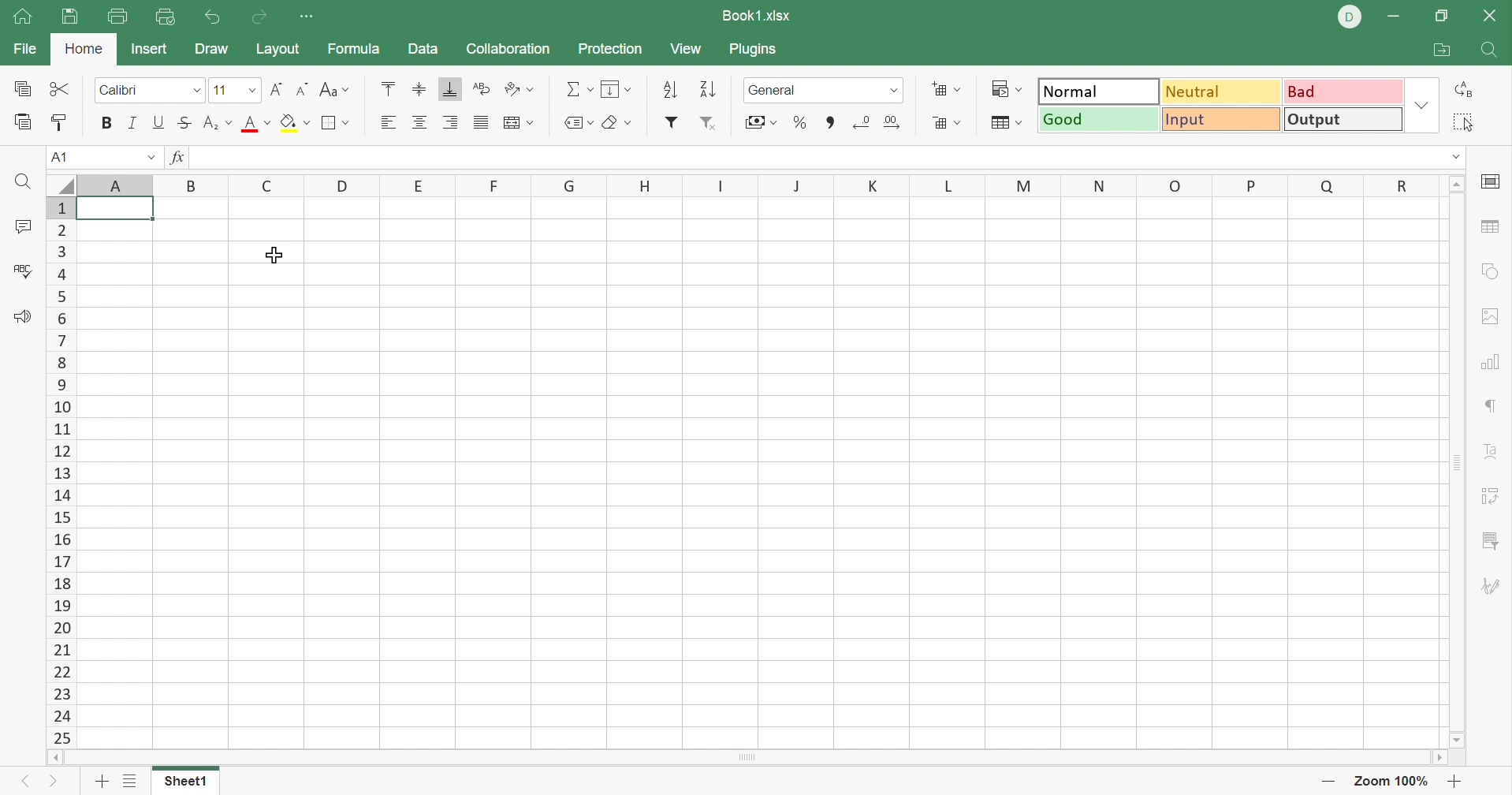  Describe the element at coordinates (115, 17) in the screenshot. I see `Print` at that location.